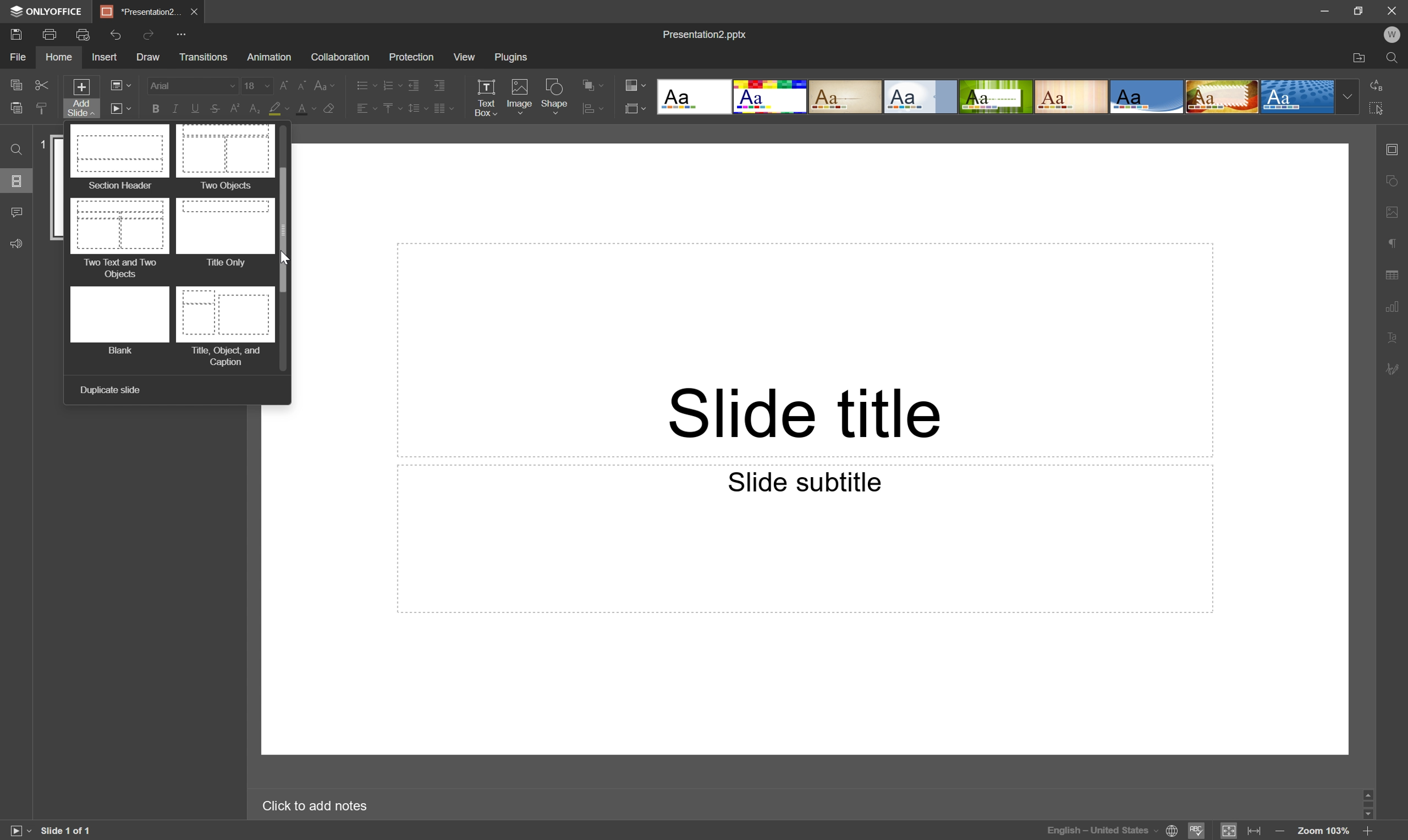 Image resolution: width=1408 pixels, height=840 pixels. What do you see at coordinates (1377, 106) in the screenshot?
I see `Select all` at bounding box center [1377, 106].